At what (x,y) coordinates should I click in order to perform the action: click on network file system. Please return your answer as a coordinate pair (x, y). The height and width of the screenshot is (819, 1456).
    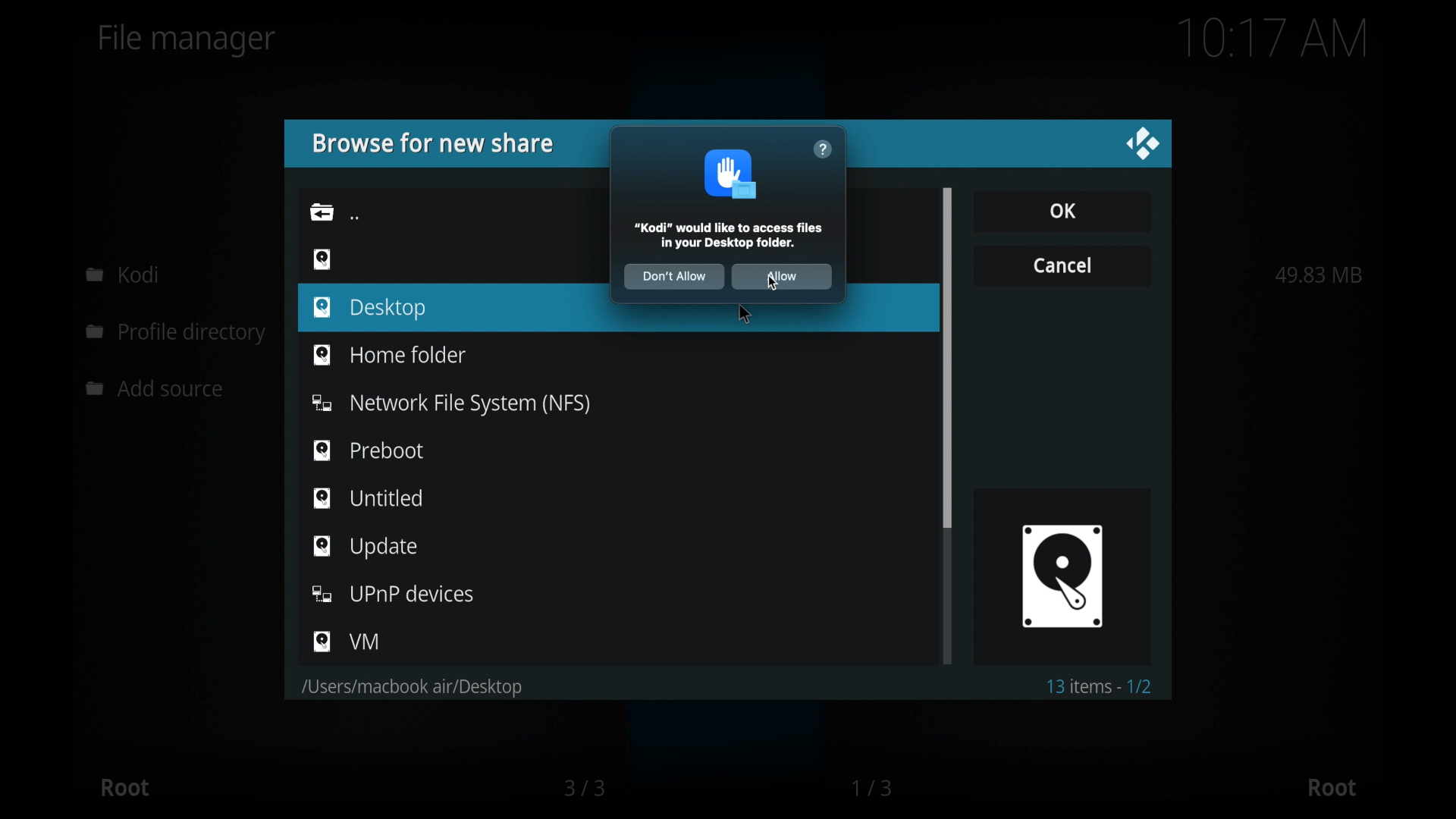
    Looking at the image, I should click on (450, 404).